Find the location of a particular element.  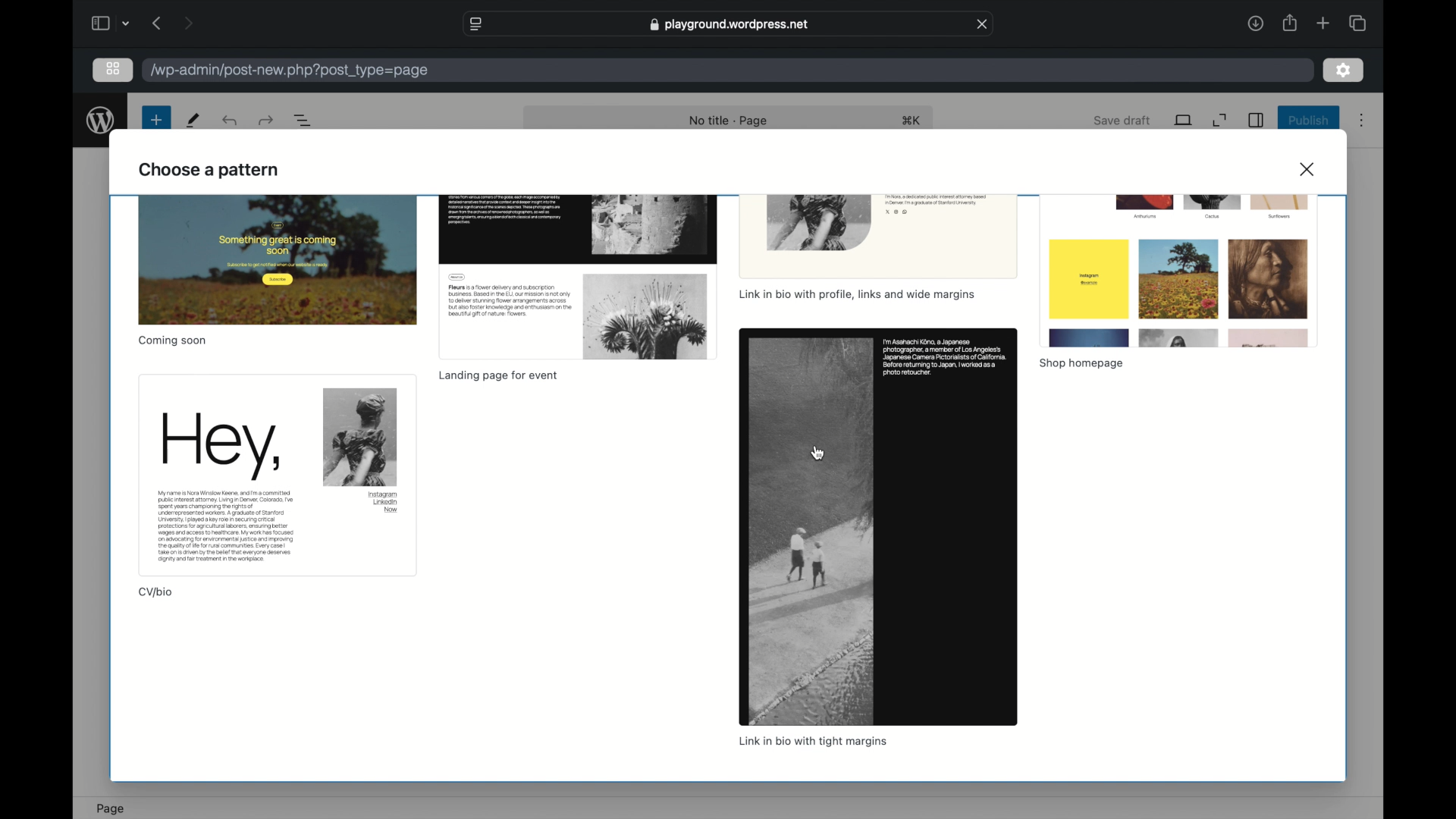

save draft is located at coordinates (1122, 120).